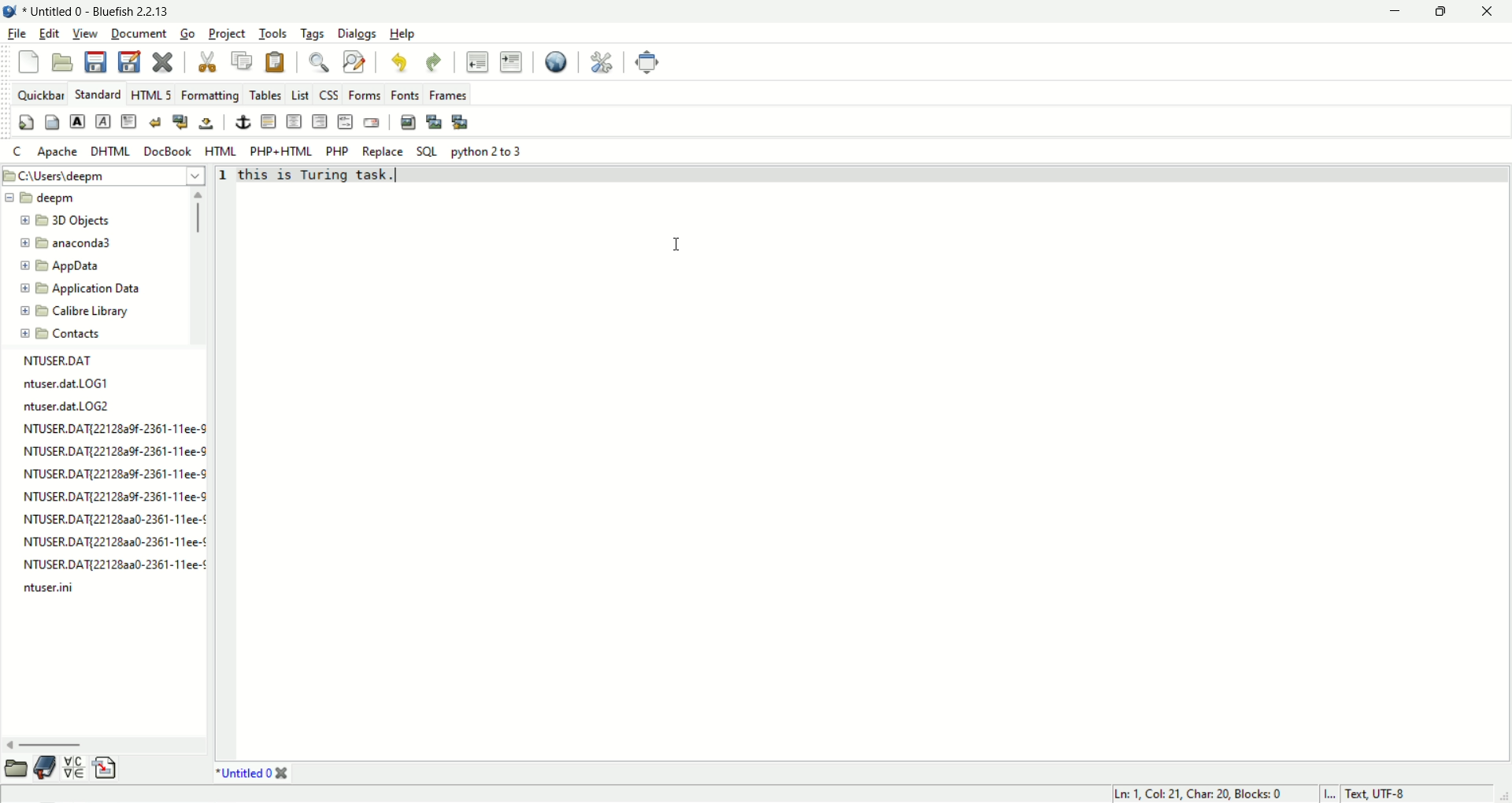  Describe the element at coordinates (461, 123) in the screenshot. I see `multi thumbnail` at that location.